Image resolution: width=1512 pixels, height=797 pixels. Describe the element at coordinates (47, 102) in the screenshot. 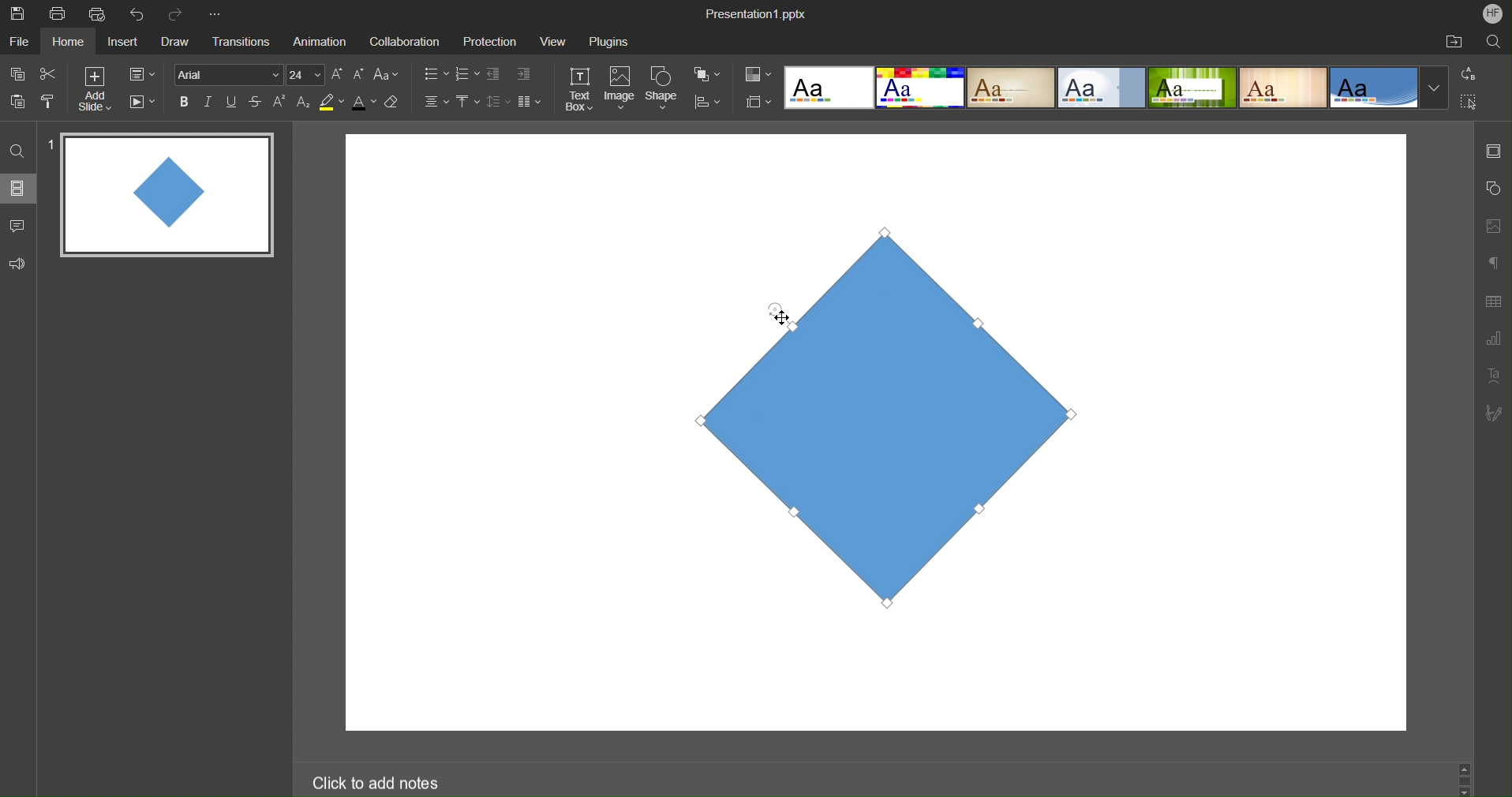

I see `Copy Style` at that location.